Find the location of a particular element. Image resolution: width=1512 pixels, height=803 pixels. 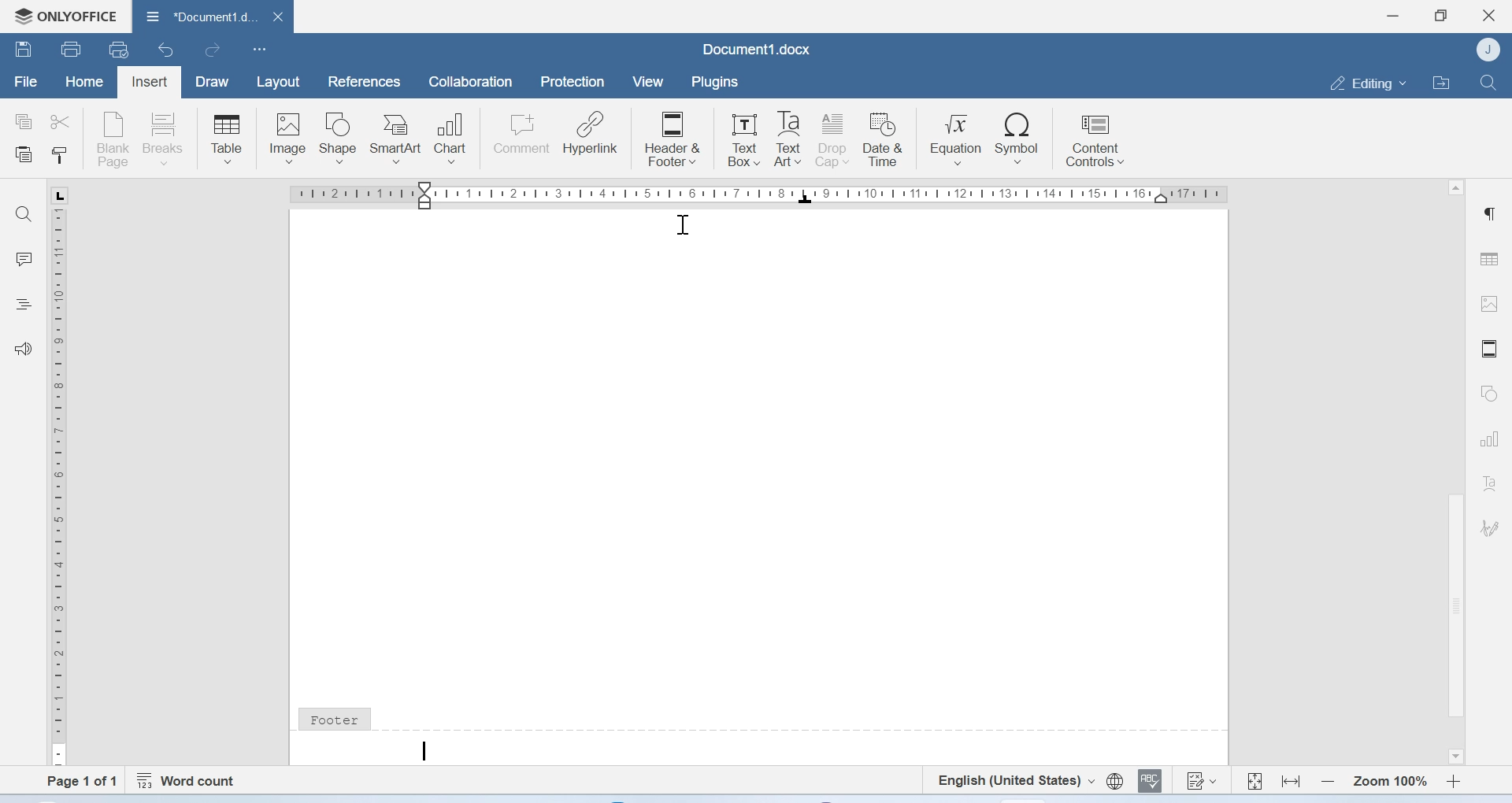

Spell checking is located at coordinates (1152, 782).